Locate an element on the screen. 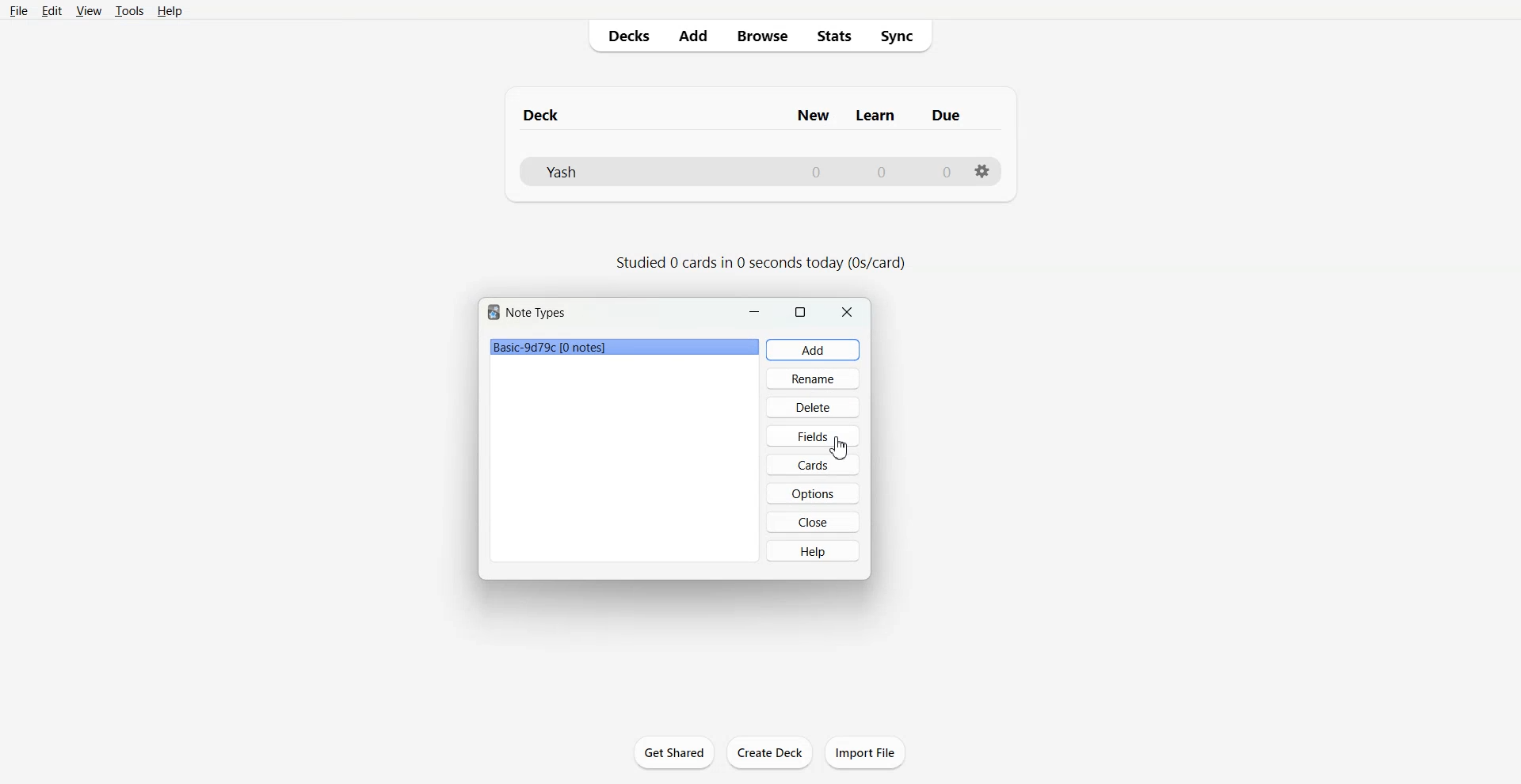 Image resolution: width=1521 pixels, height=784 pixels. Fields is located at coordinates (813, 436).